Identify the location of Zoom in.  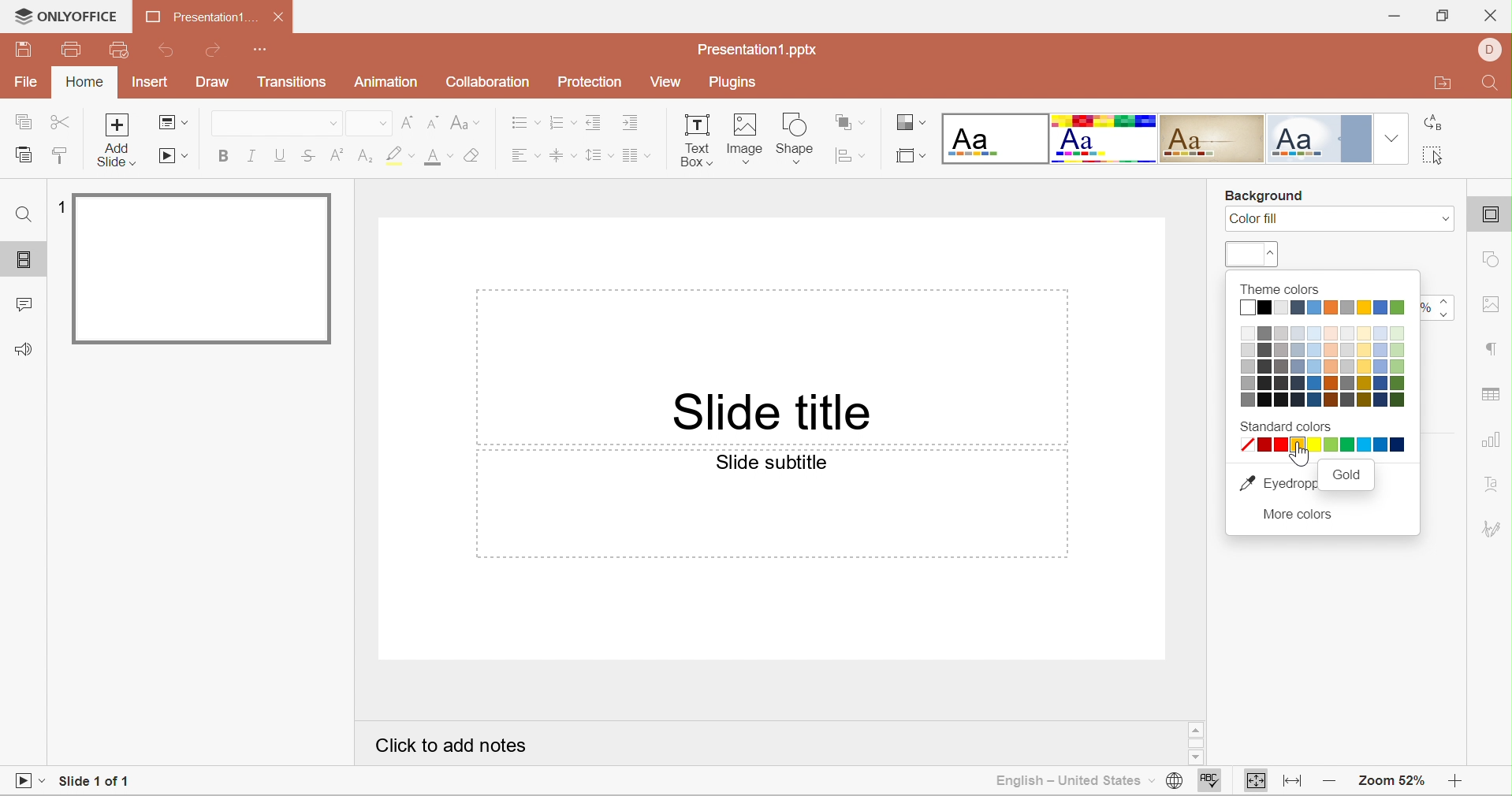
(1454, 784).